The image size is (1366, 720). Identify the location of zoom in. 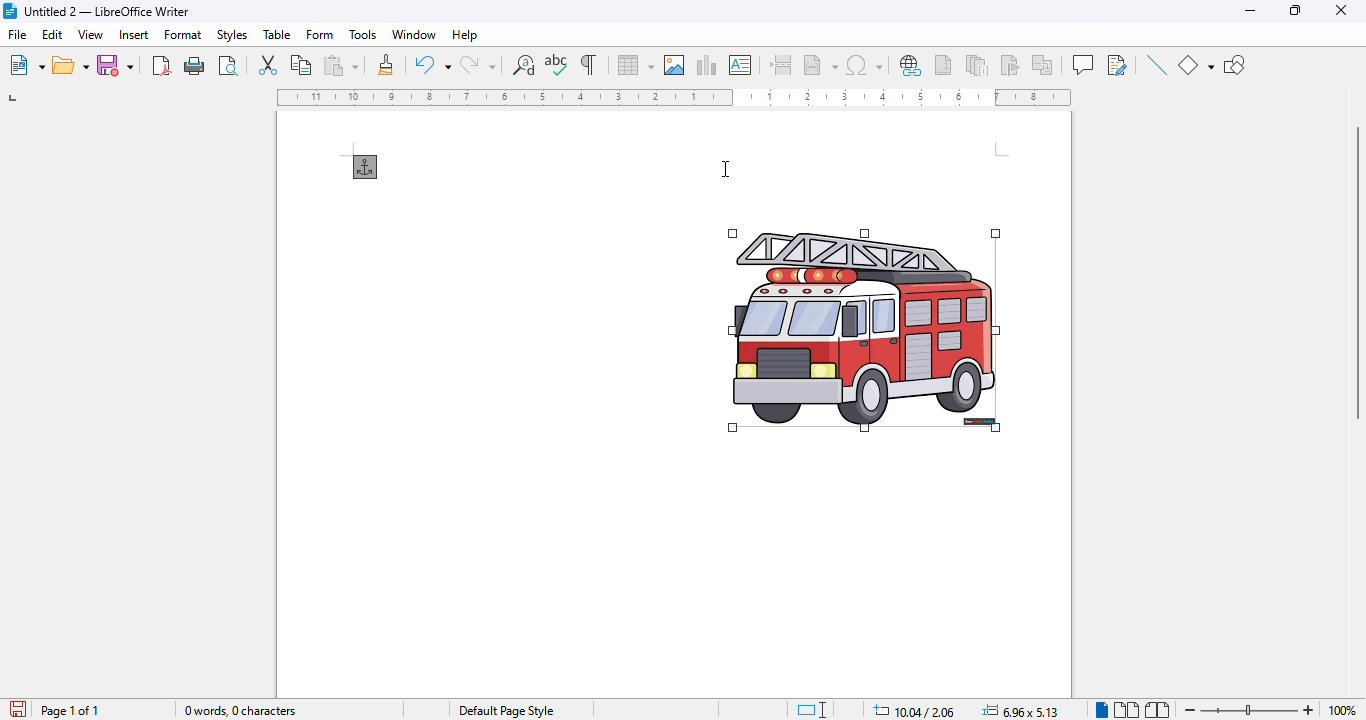
(1309, 710).